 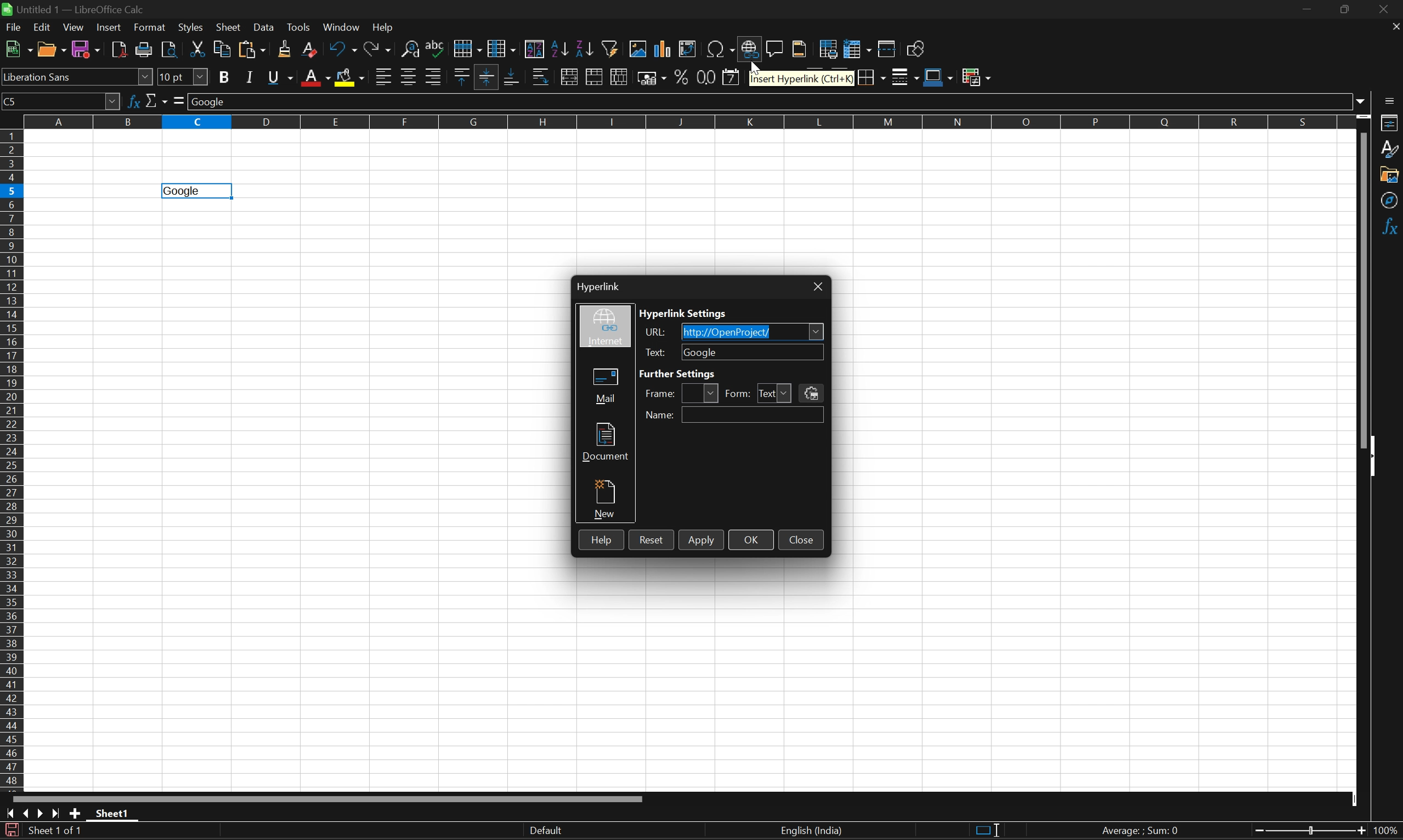 I want to click on Clone formatting, so click(x=286, y=49).